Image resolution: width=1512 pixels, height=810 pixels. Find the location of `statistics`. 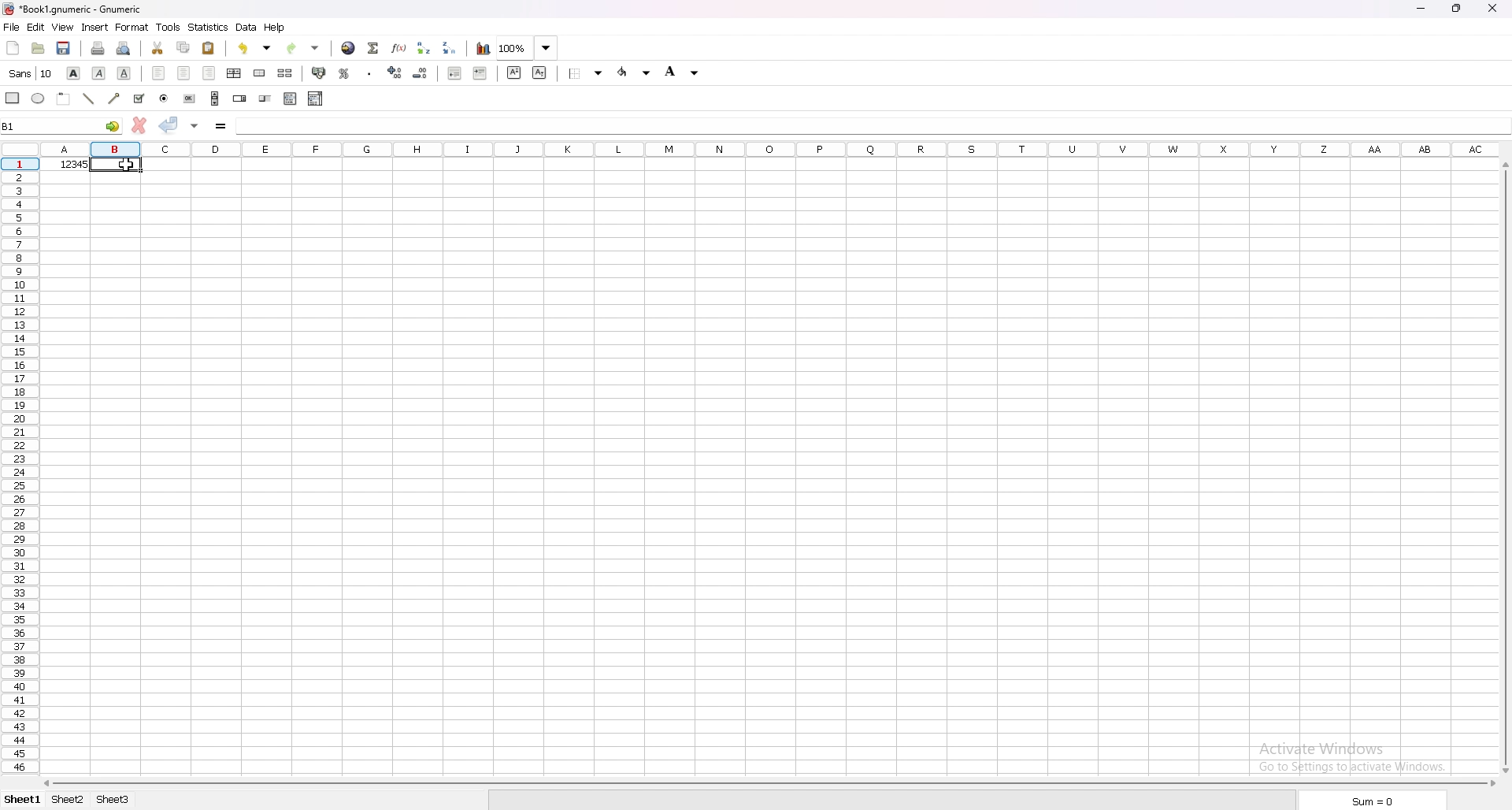

statistics is located at coordinates (208, 27).